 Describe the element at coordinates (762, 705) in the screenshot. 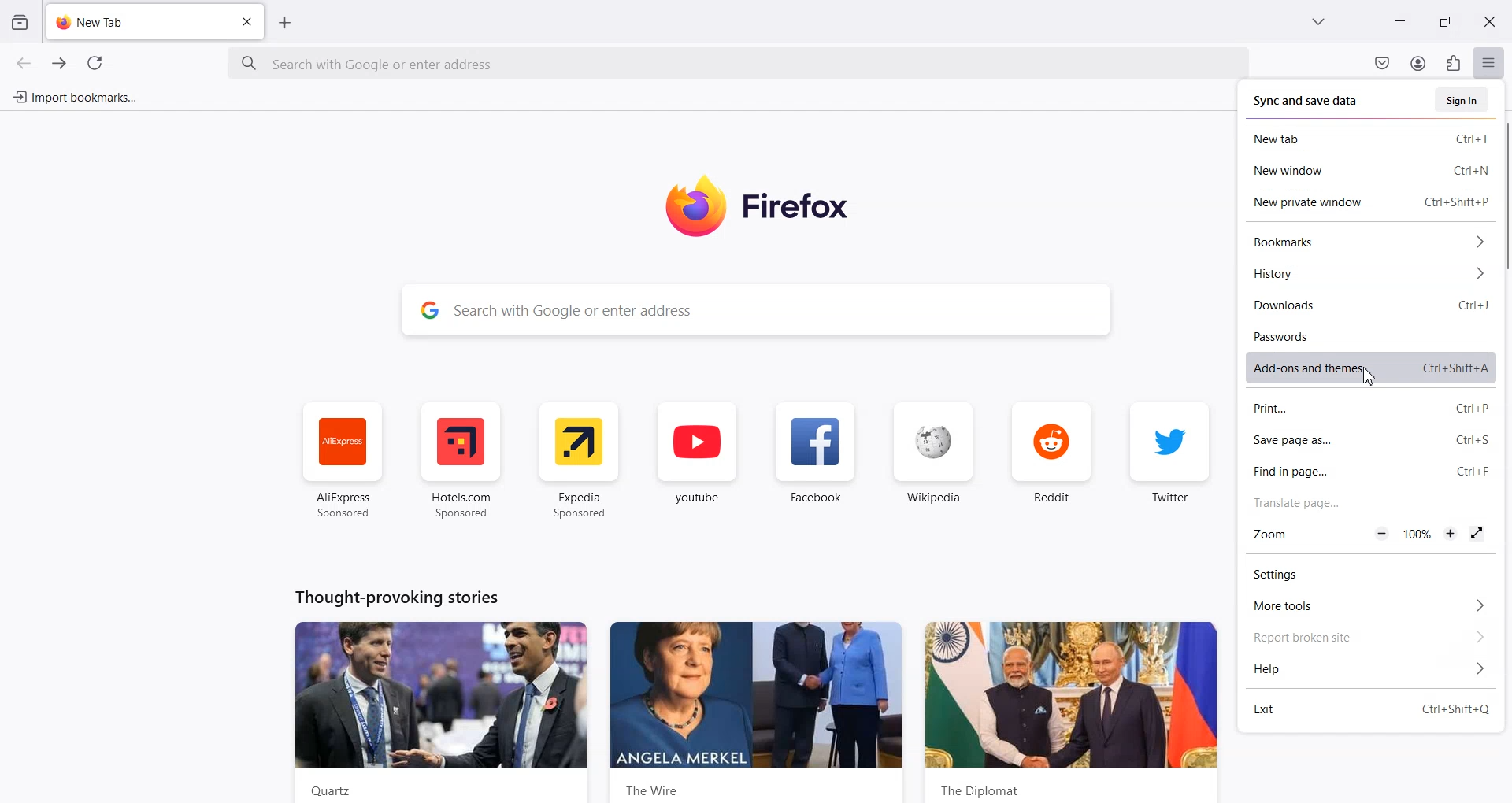

I see `The wire news` at that location.